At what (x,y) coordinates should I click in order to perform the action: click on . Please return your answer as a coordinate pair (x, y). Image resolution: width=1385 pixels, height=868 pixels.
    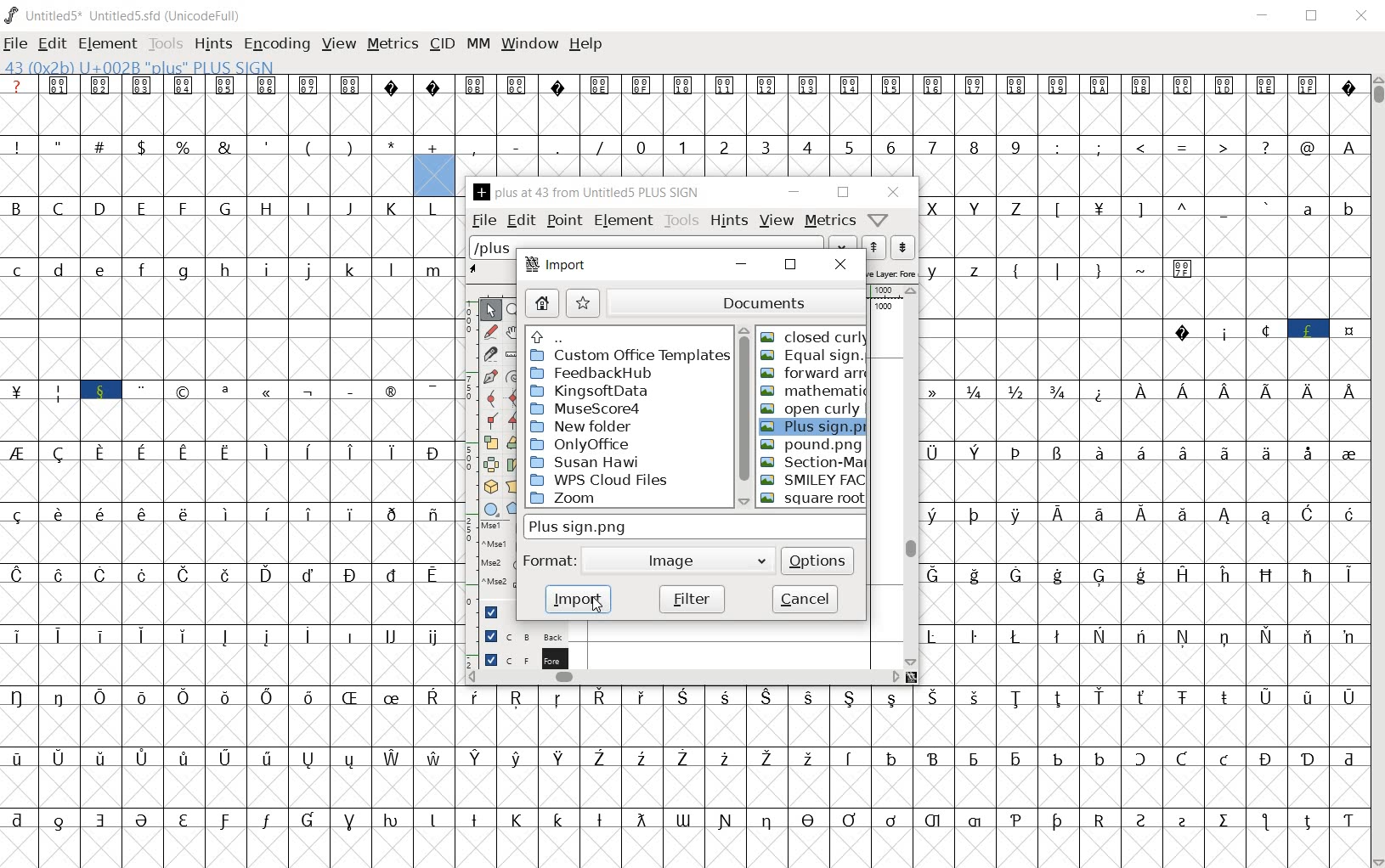
    Looking at the image, I should click on (1042, 351).